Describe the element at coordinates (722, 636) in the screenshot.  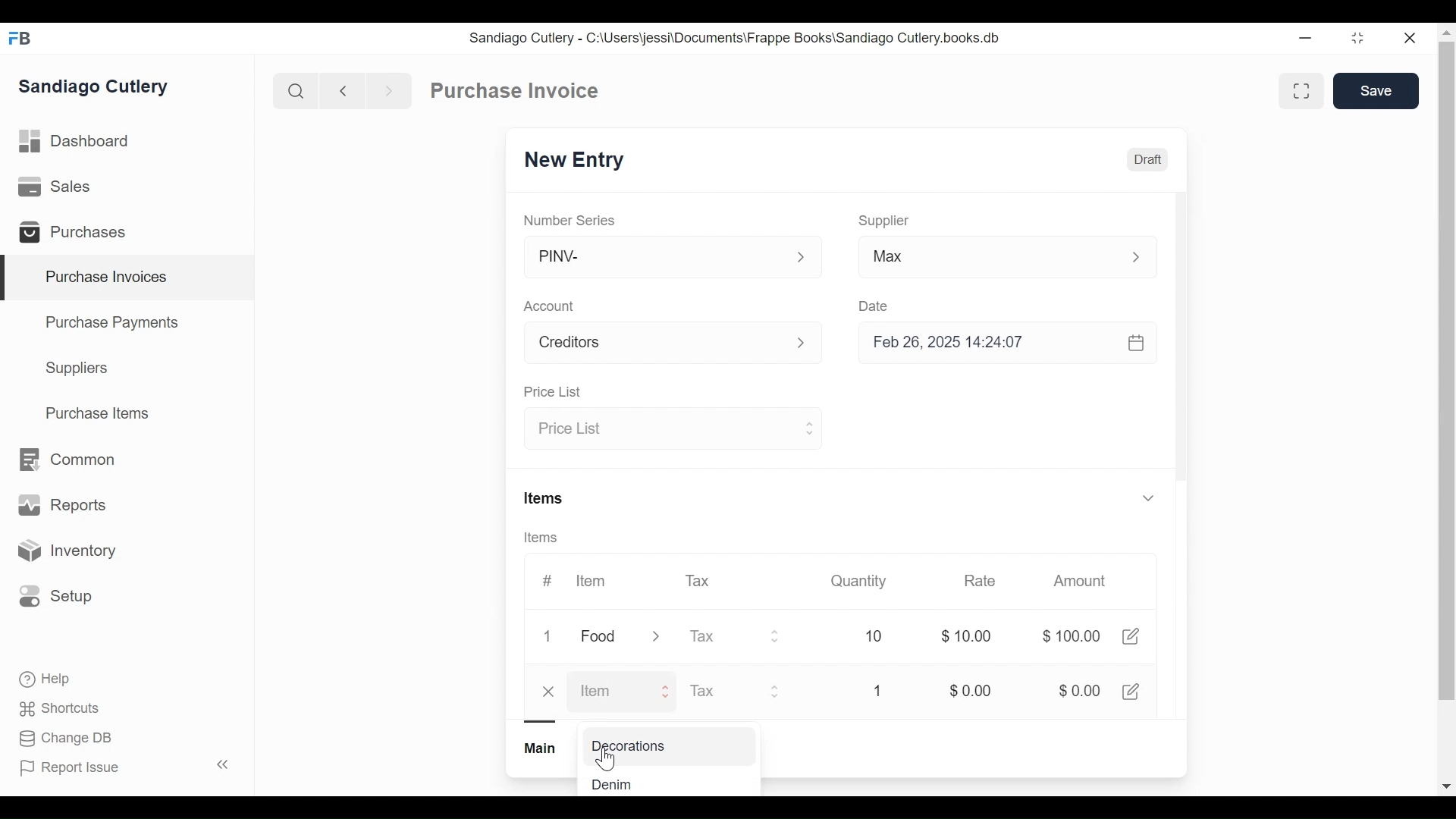
I see `Tax` at that location.